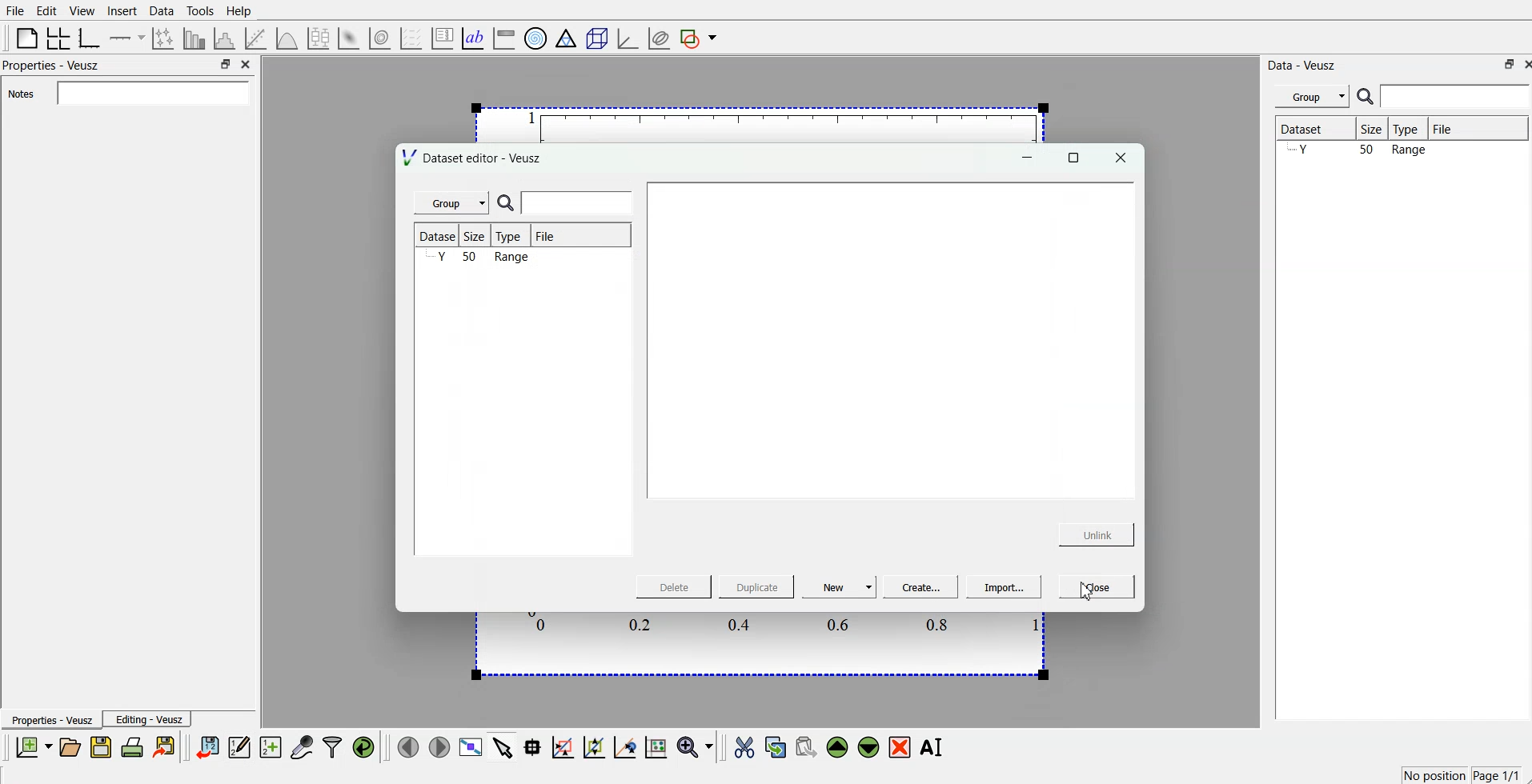 This screenshot has width=1532, height=784. I want to click on histogram, so click(226, 37).